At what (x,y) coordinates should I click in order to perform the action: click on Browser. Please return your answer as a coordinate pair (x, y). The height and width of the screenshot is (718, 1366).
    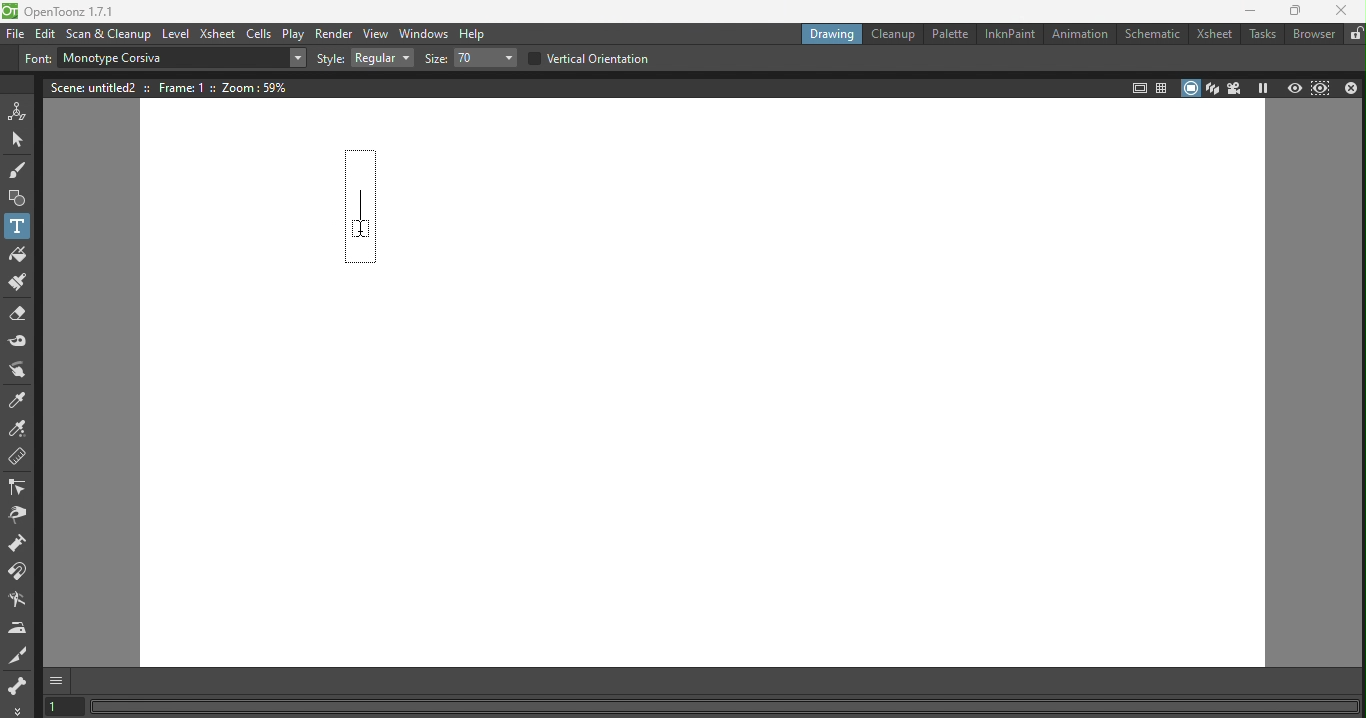
    Looking at the image, I should click on (1313, 36).